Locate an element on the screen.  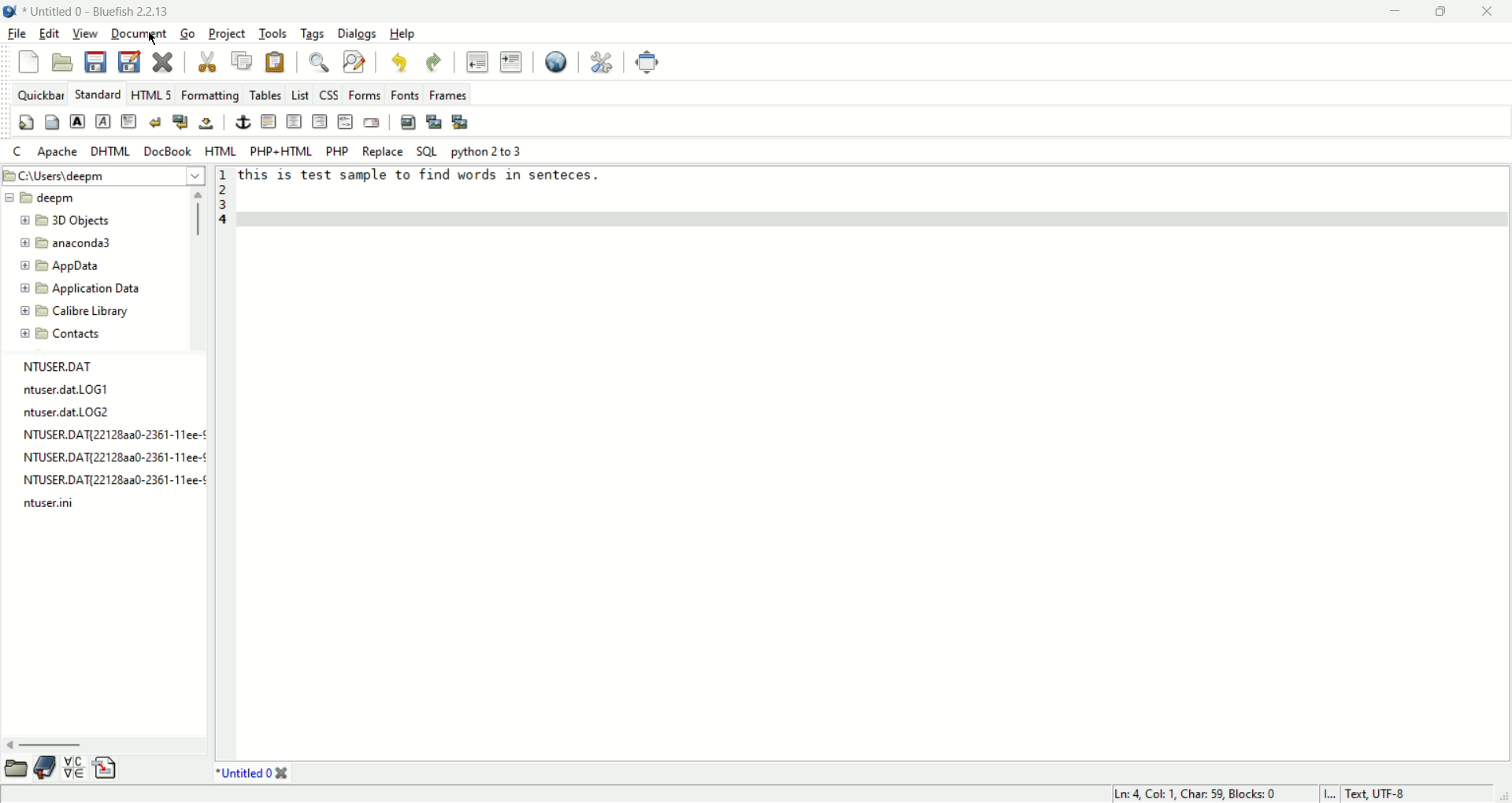
minimize is located at coordinates (1395, 12).